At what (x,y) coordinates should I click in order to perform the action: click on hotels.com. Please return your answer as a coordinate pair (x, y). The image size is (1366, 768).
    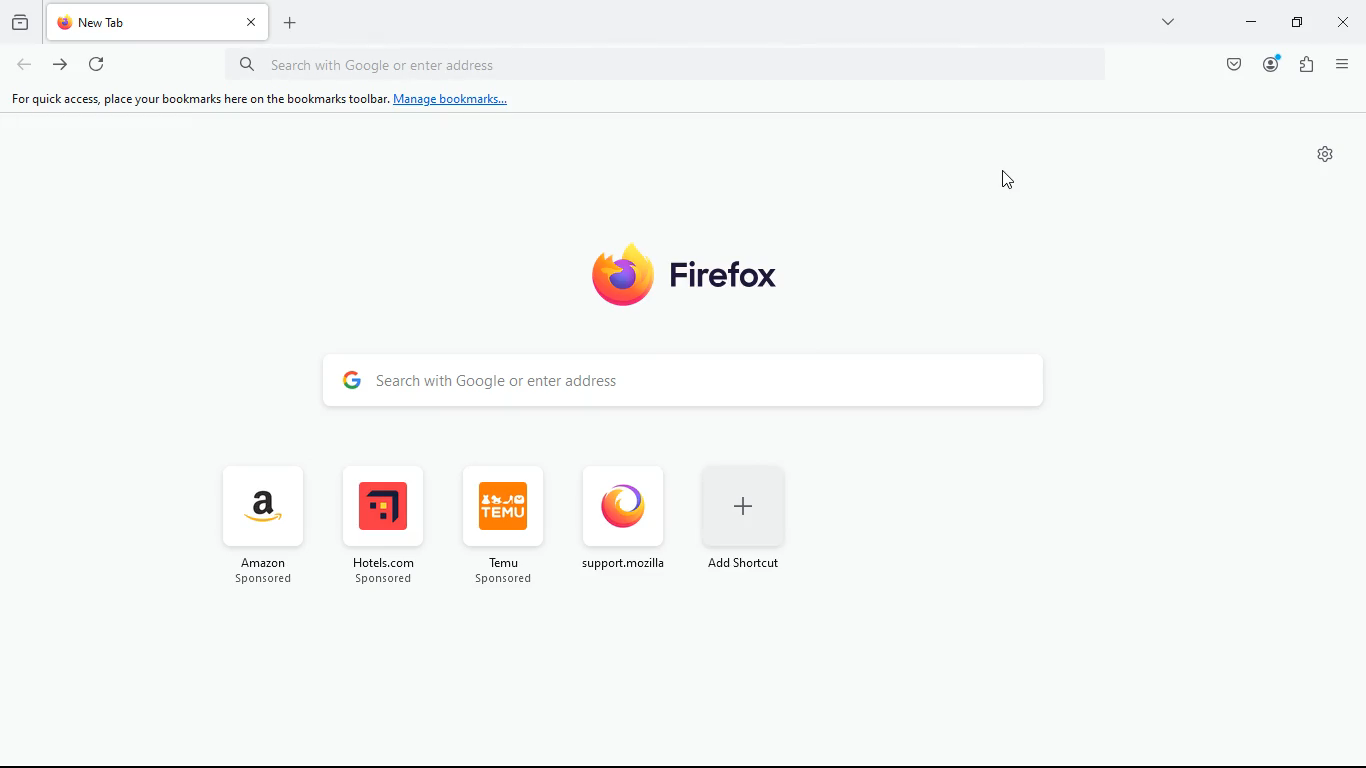
    Looking at the image, I should click on (379, 528).